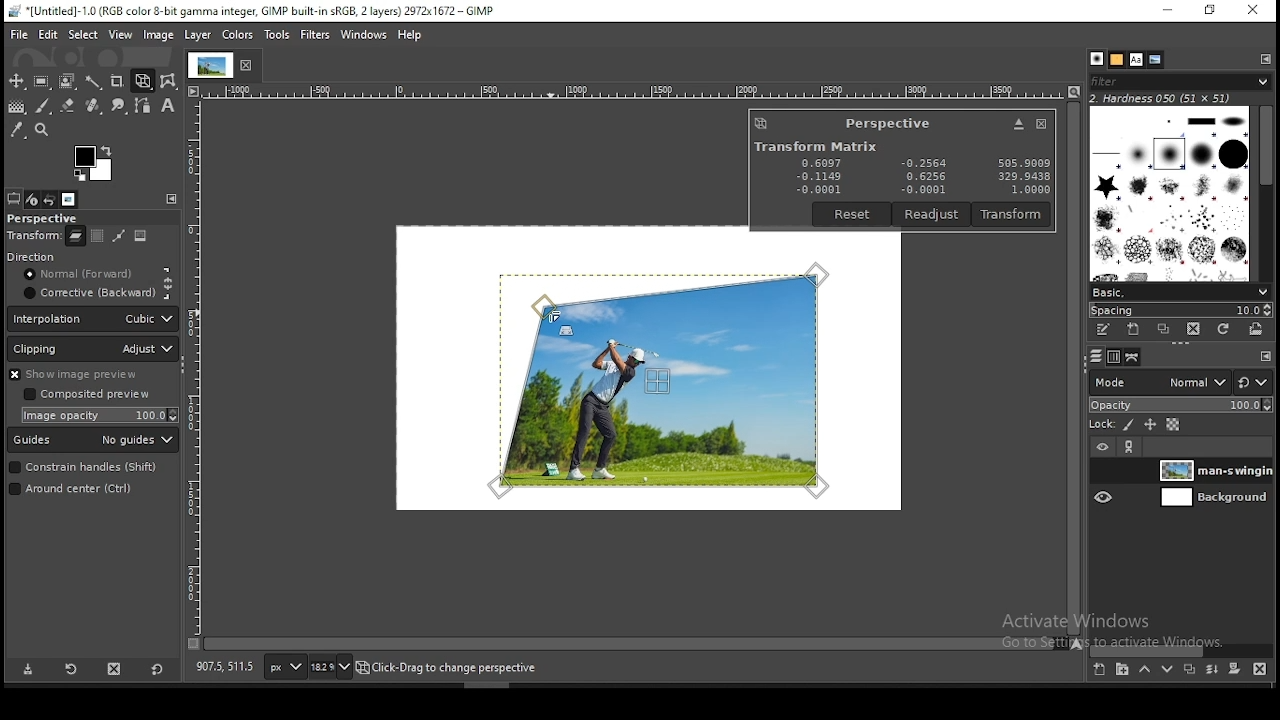  Describe the element at coordinates (145, 106) in the screenshot. I see `paths tool` at that location.